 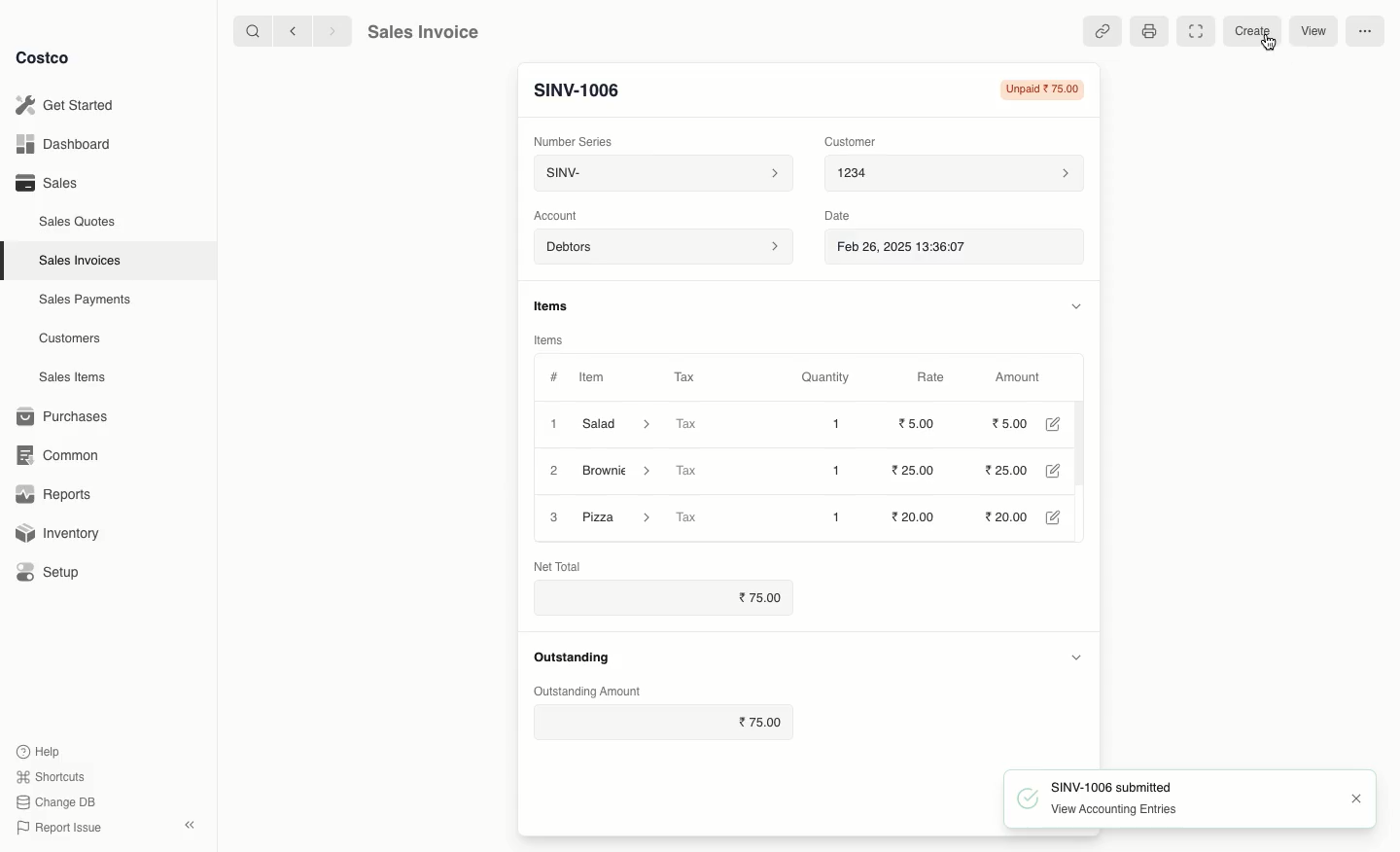 I want to click on Cursor, so click(x=1273, y=48).